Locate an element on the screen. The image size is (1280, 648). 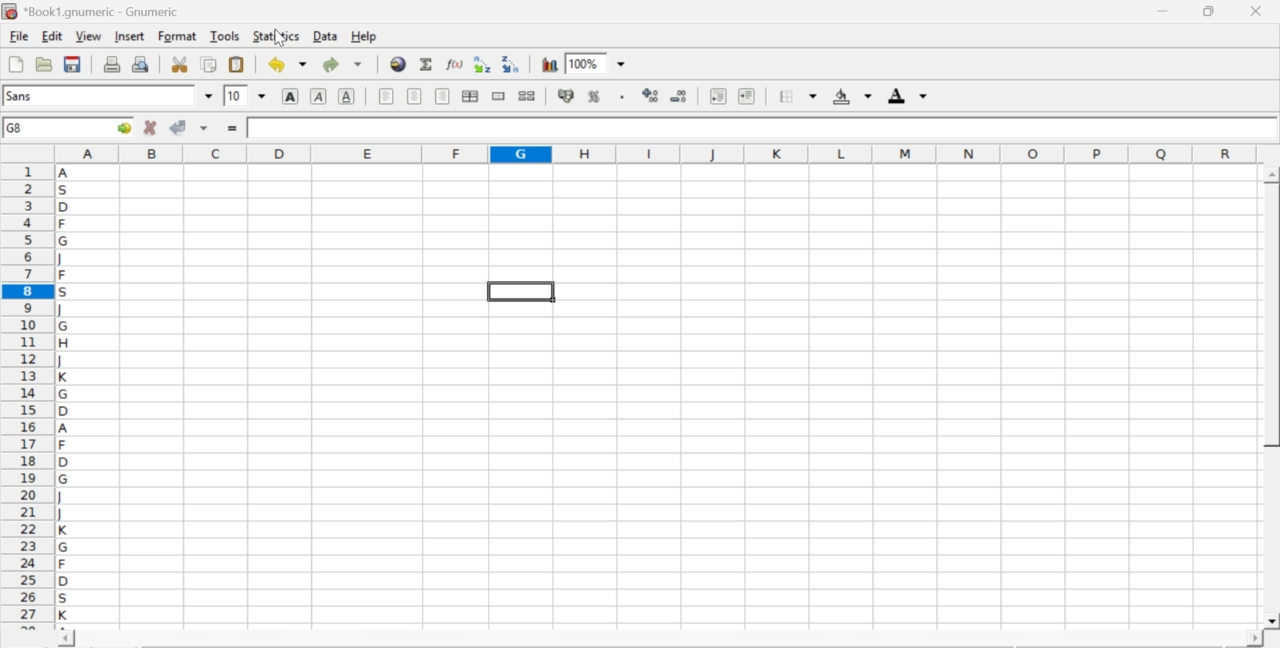
align left is located at coordinates (386, 94).